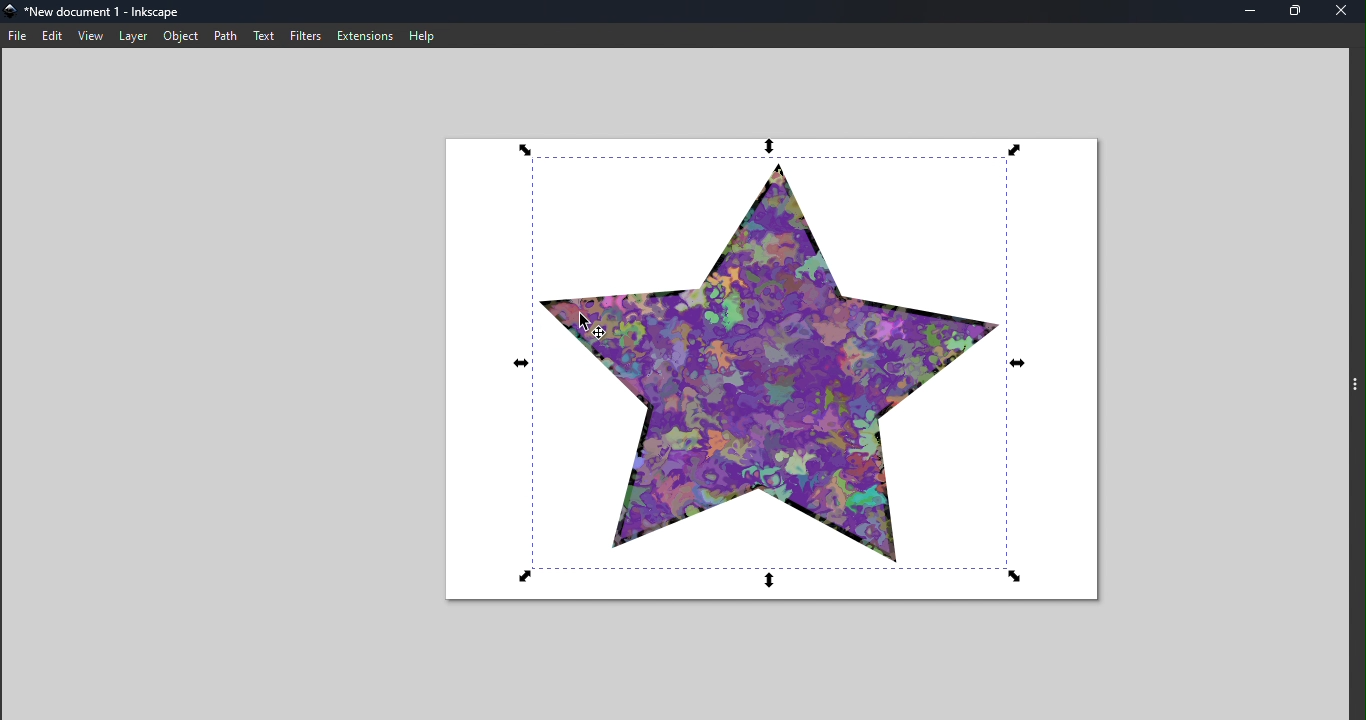  I want to click on Extensions, so click(362, 34).